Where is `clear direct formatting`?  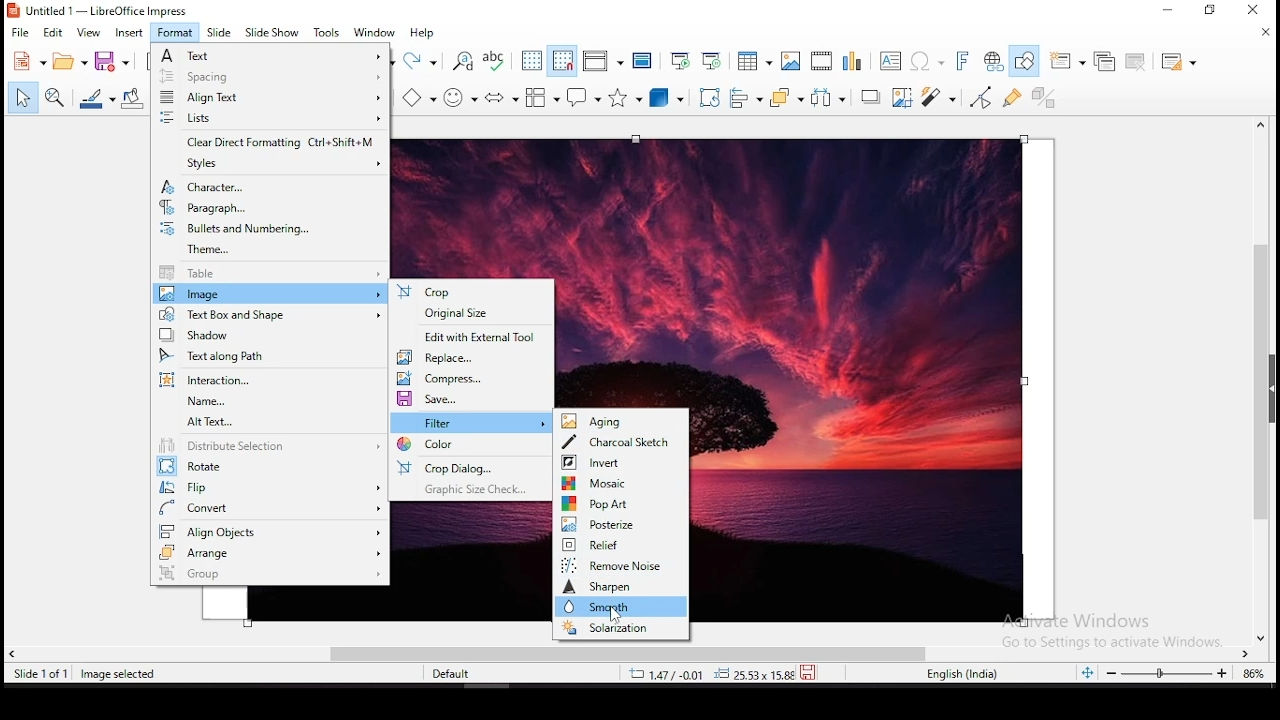
clear direct formatting is located at coordinates (268, 143).